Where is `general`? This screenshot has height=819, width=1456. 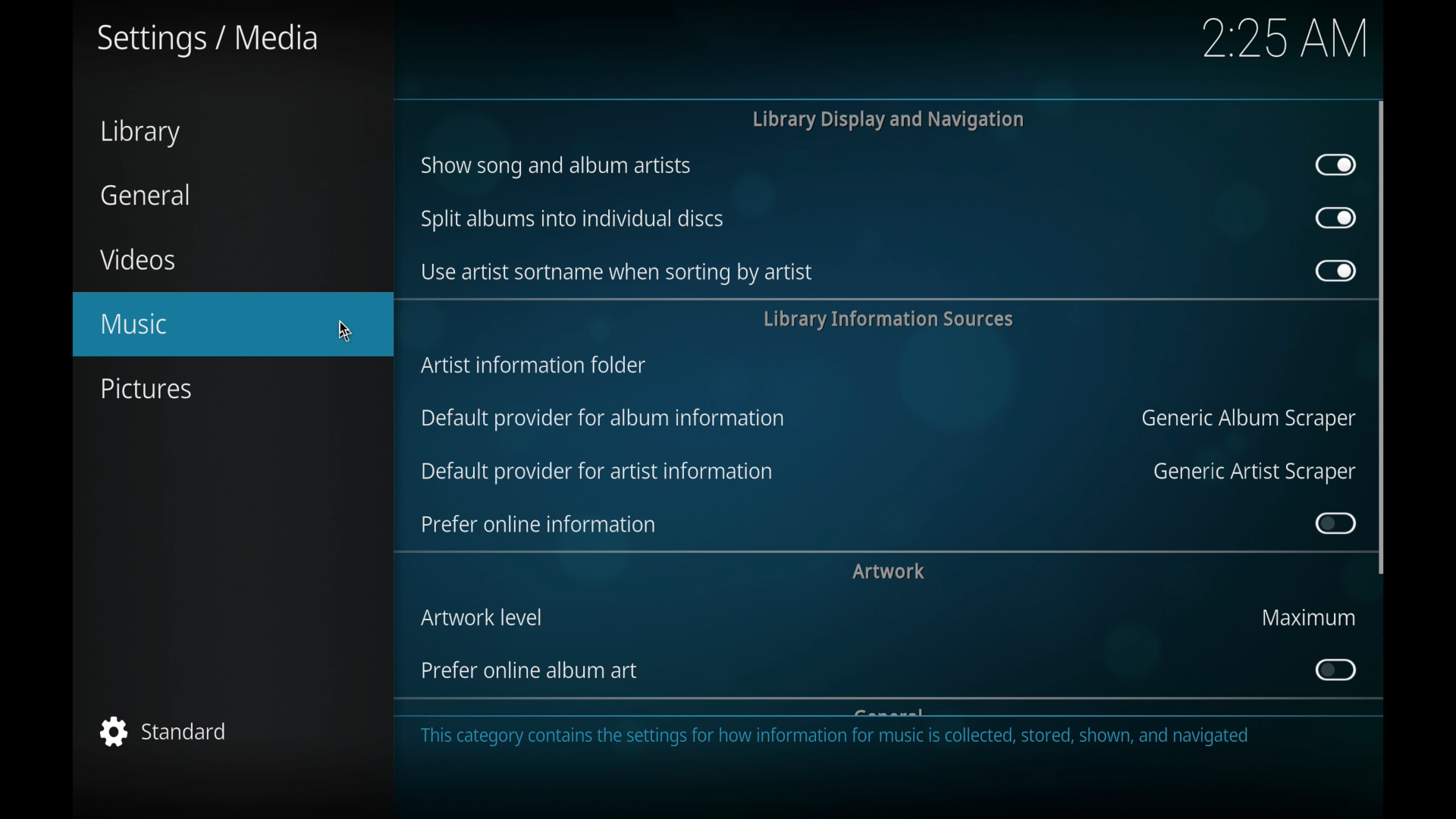 general is located at coordinates (145, 195).